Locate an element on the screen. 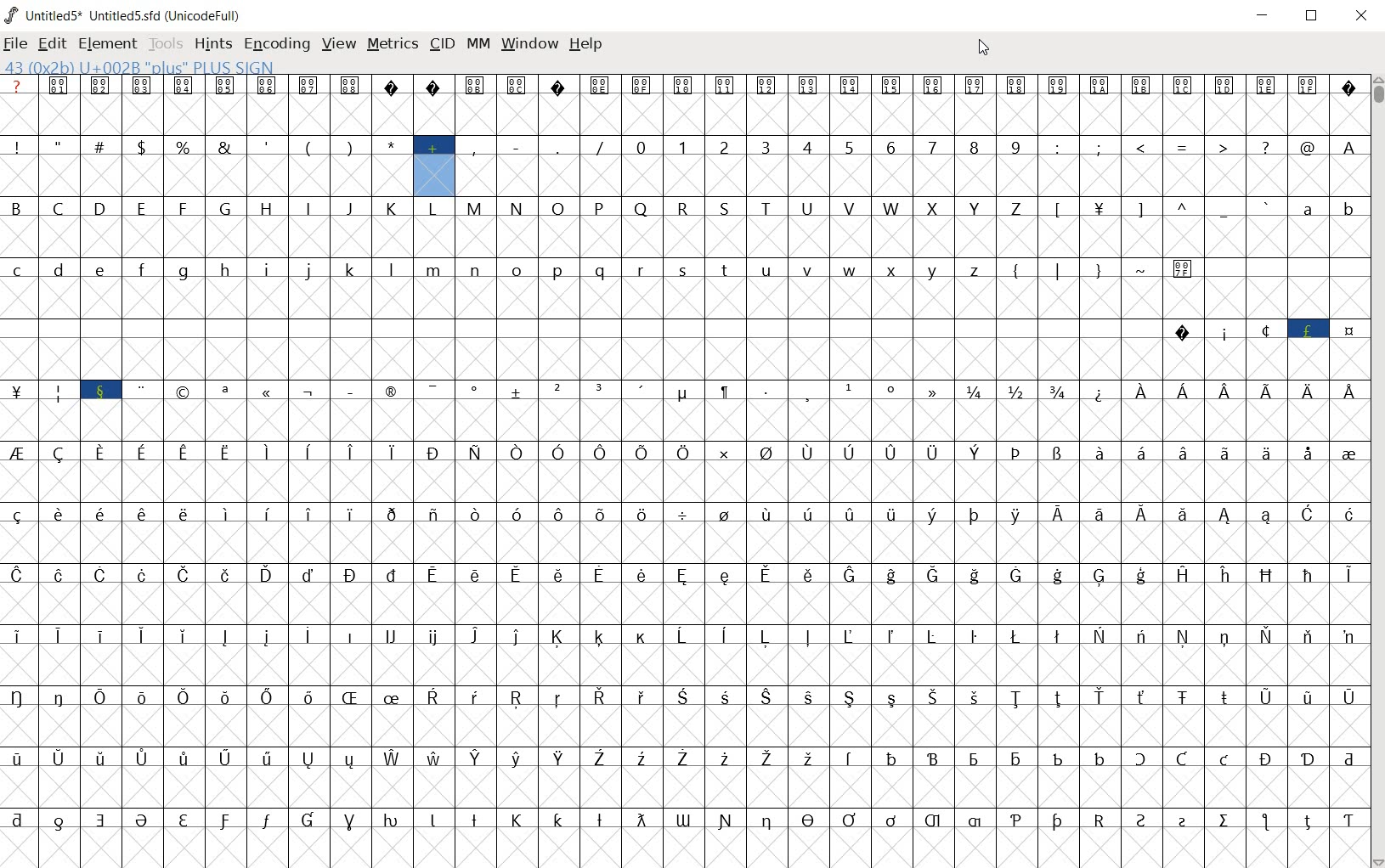 The height and width of the screenshot is (868, 1385). metrics is located at coordinates (392, 44).